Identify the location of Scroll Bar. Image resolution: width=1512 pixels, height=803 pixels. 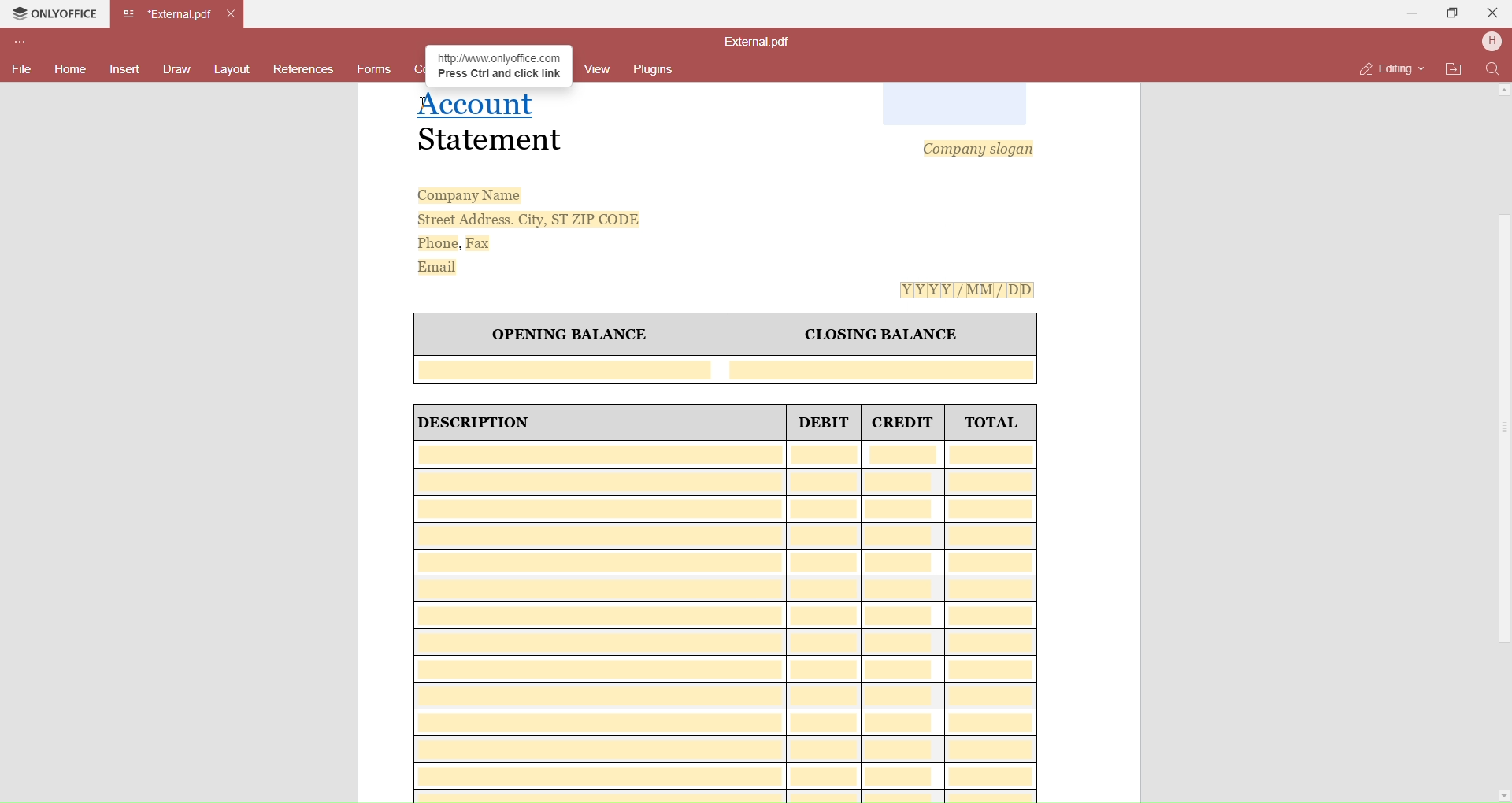
(1502, 430).